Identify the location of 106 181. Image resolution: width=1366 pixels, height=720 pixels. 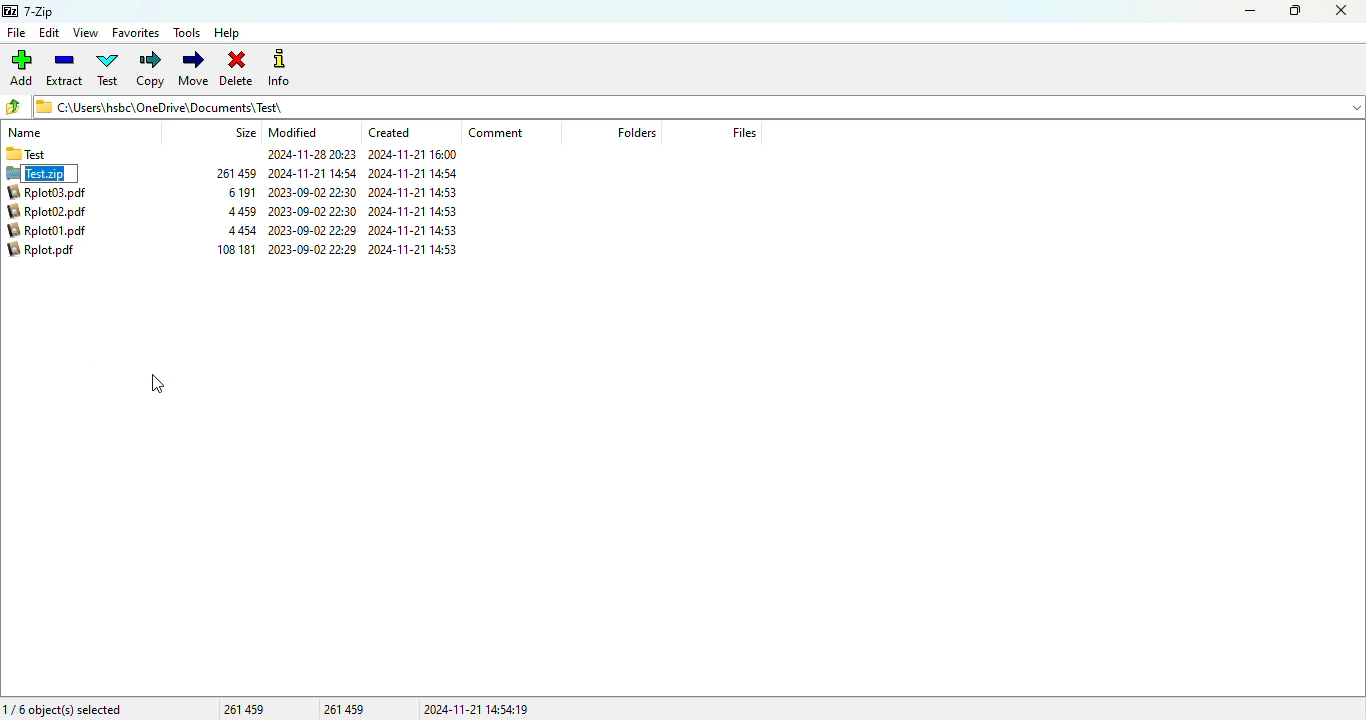
(238, 250).